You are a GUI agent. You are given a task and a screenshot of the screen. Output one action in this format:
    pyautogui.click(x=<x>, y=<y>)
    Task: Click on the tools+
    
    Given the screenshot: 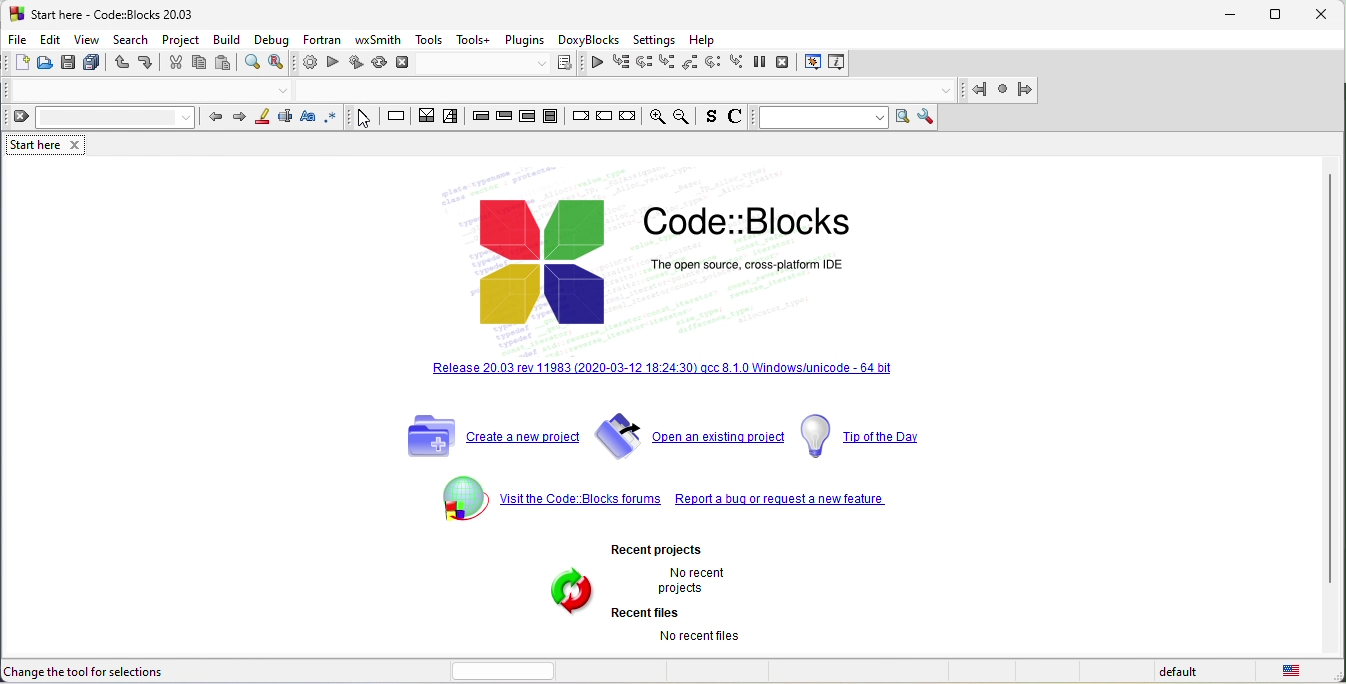 What is the action you would take?
    pyautogui.click(x=479, y=39)
    